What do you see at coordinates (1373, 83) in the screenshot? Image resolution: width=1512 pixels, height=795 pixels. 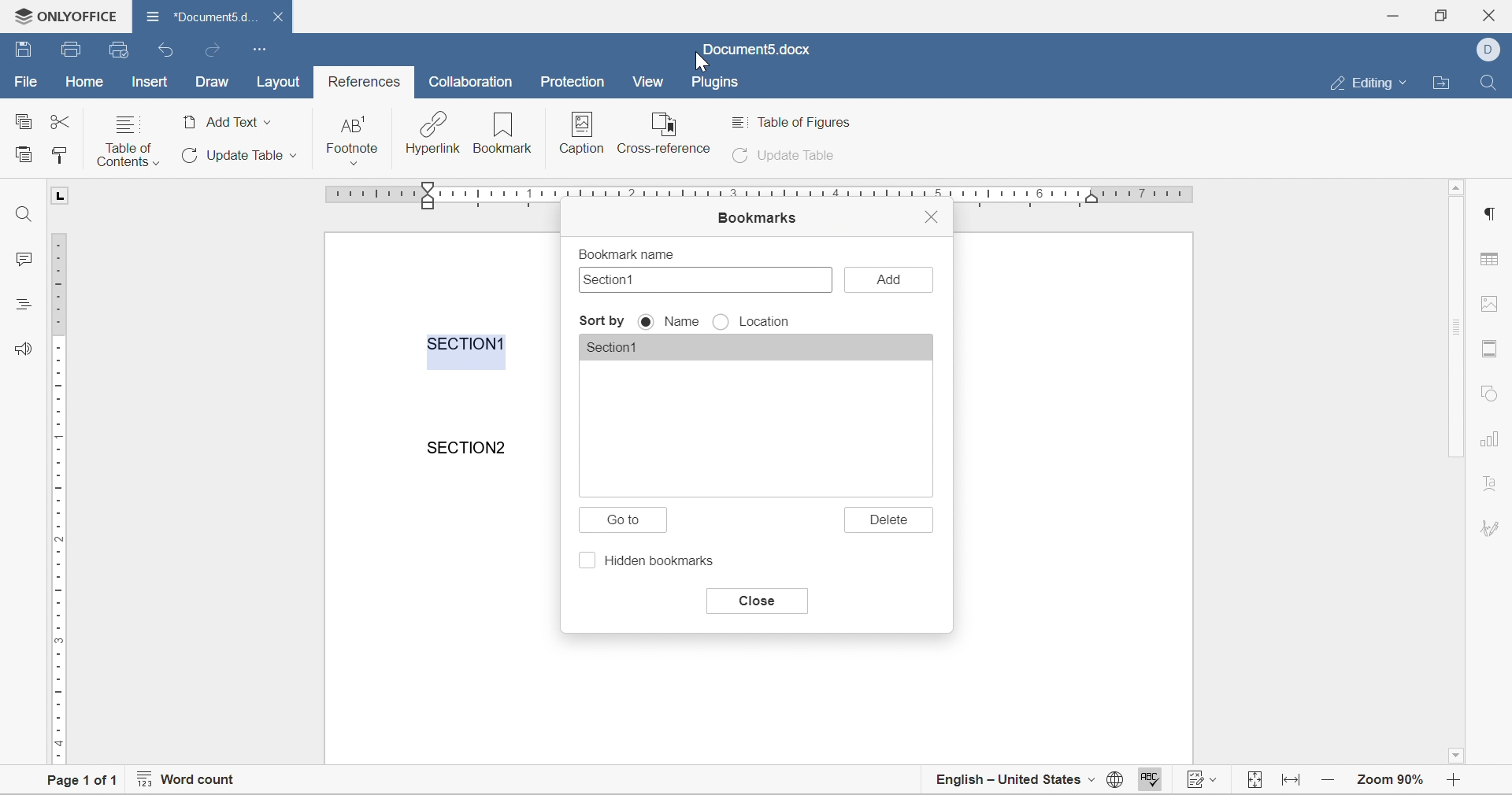 I see `editing` at bounding box center [1373, 83].